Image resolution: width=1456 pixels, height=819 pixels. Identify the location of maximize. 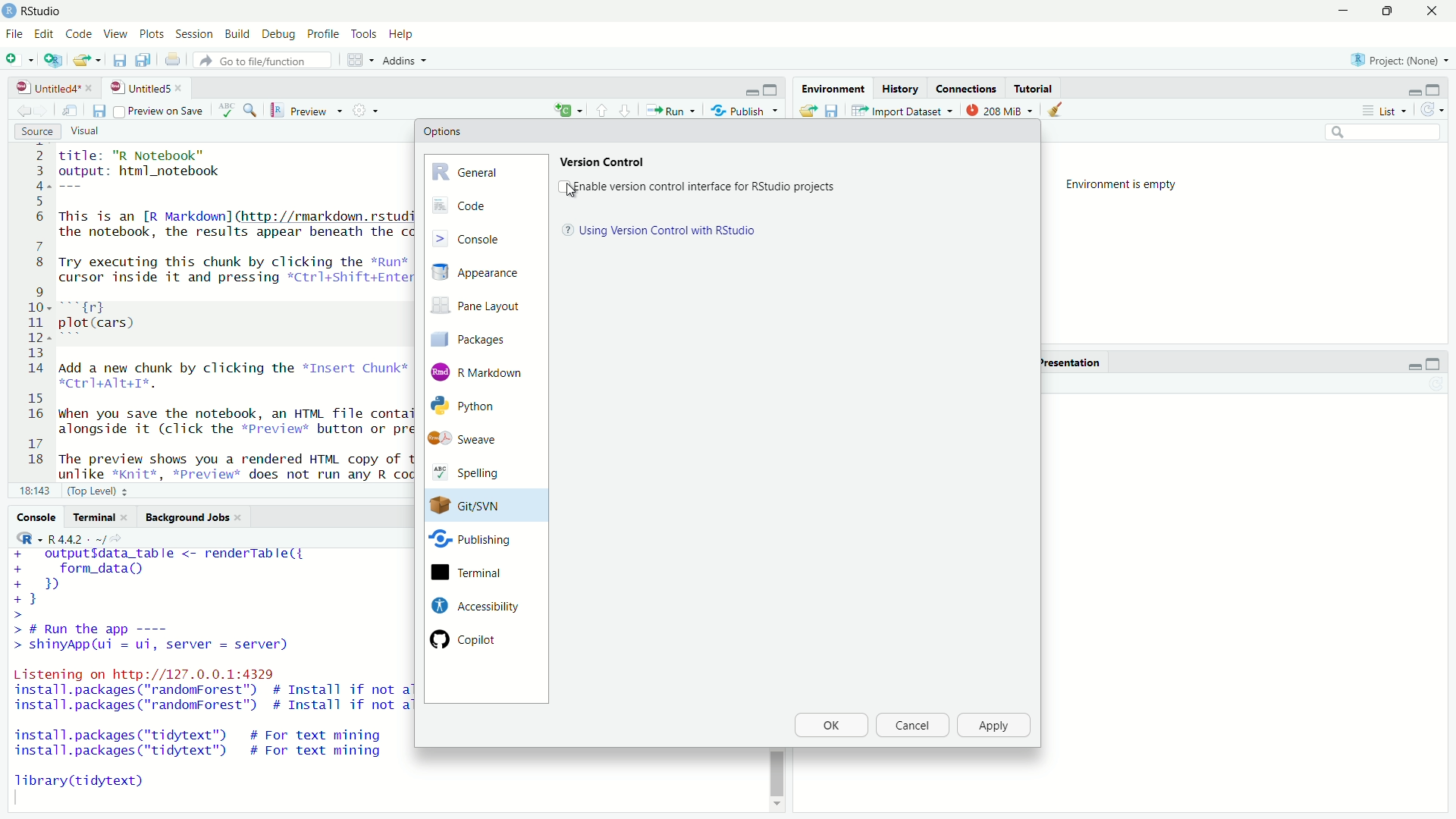
(1437, 89).